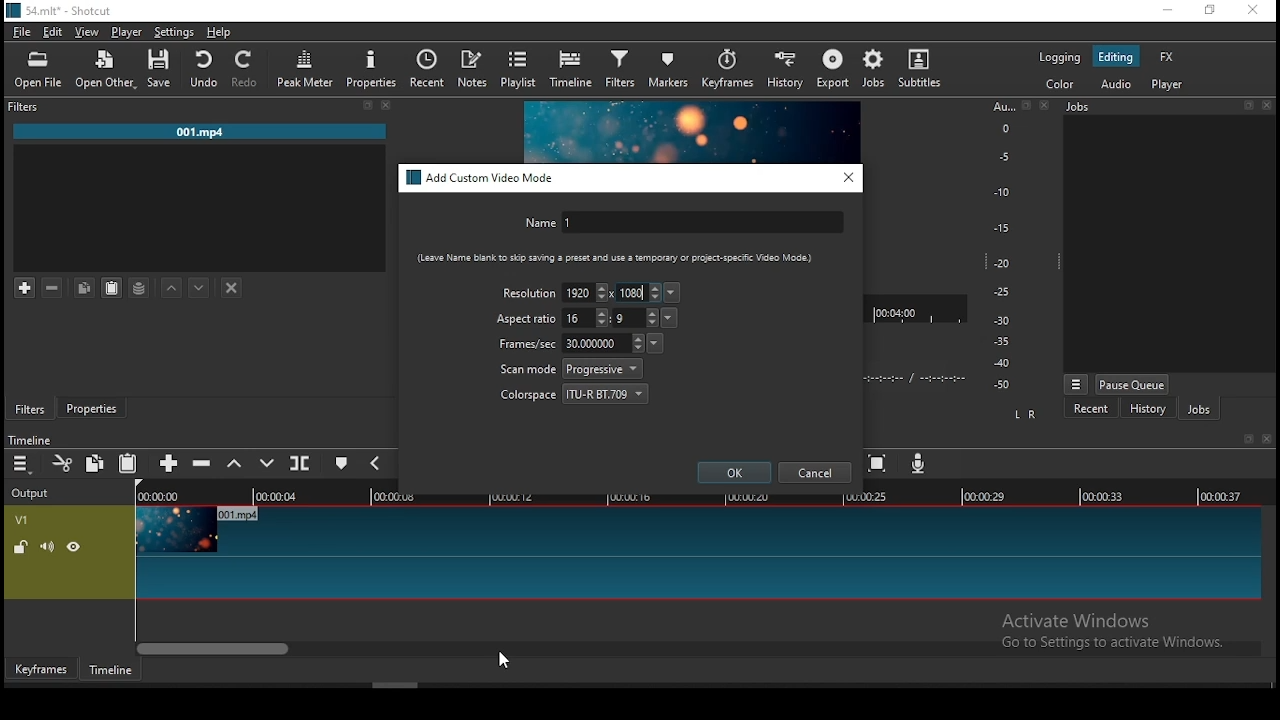  What do you see at coordinates (571, 369) in the screenshot?
I see `scan mode` at bounding box center [571, 369].